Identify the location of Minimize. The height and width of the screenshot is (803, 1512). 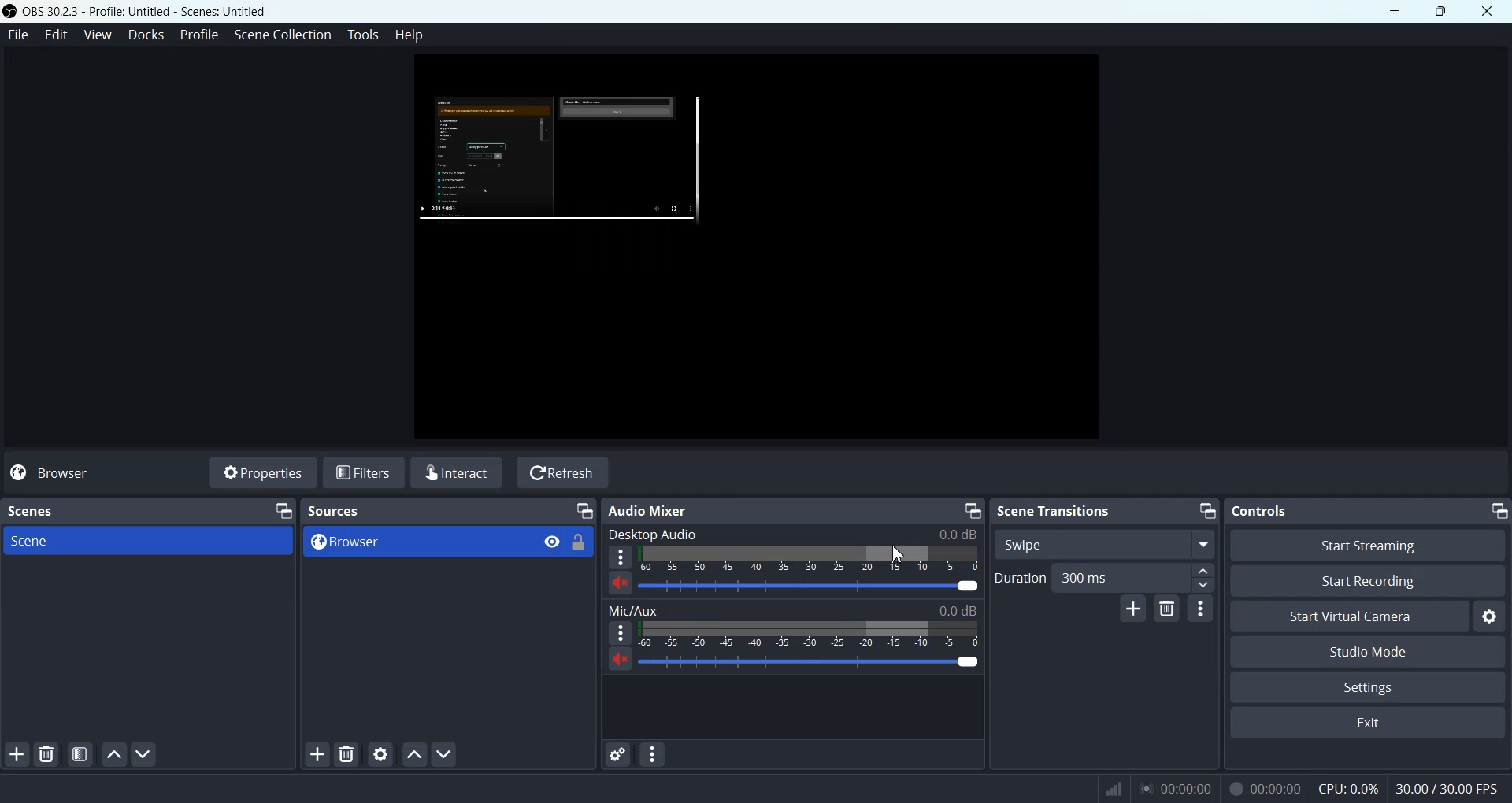
(281, 510).